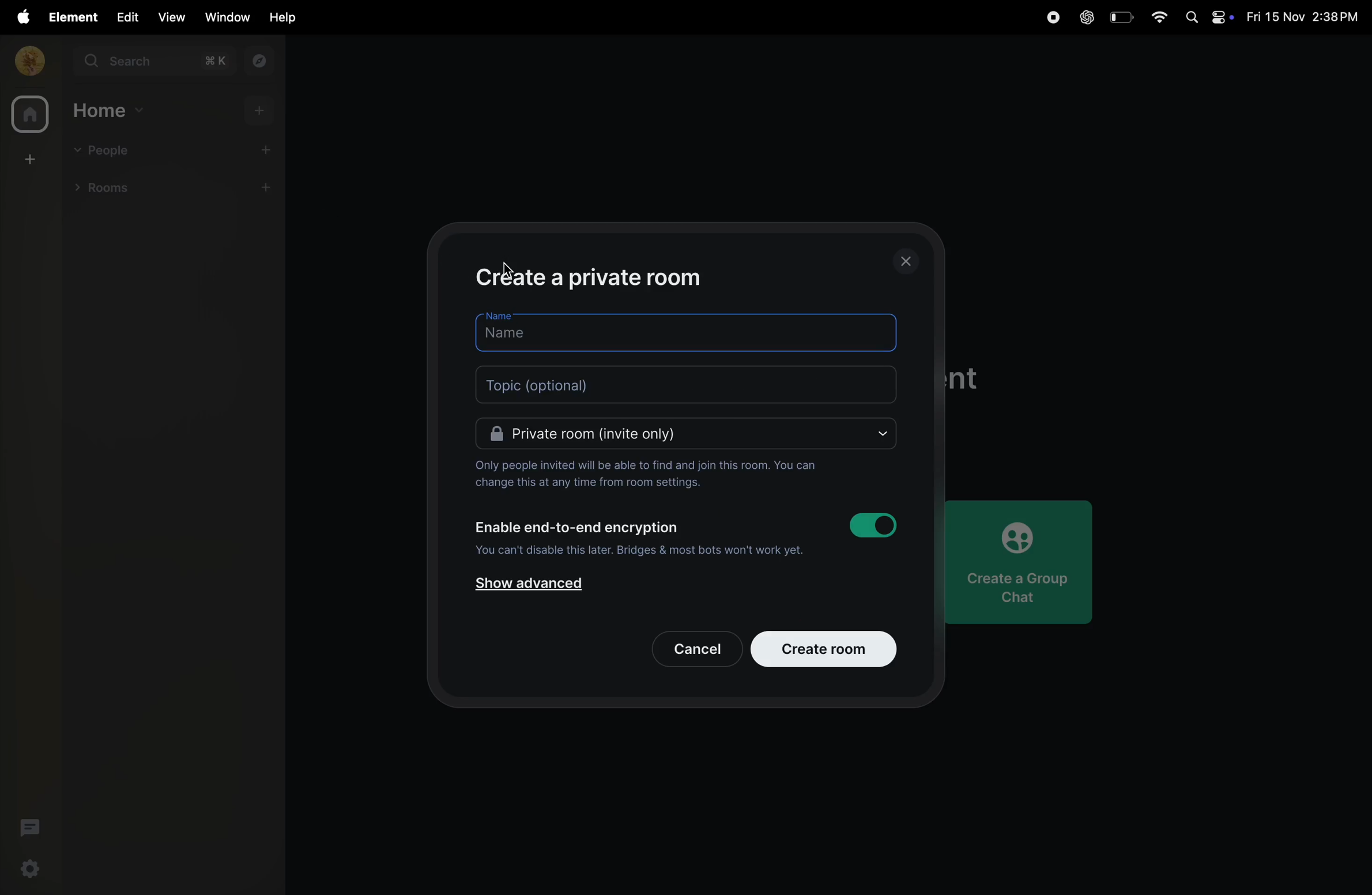 This screenshot has width=1372, height=895. What do you see at coordinates (19, 17) in the screenshot?
I see `apple menu` at bounding box center [19, 17].